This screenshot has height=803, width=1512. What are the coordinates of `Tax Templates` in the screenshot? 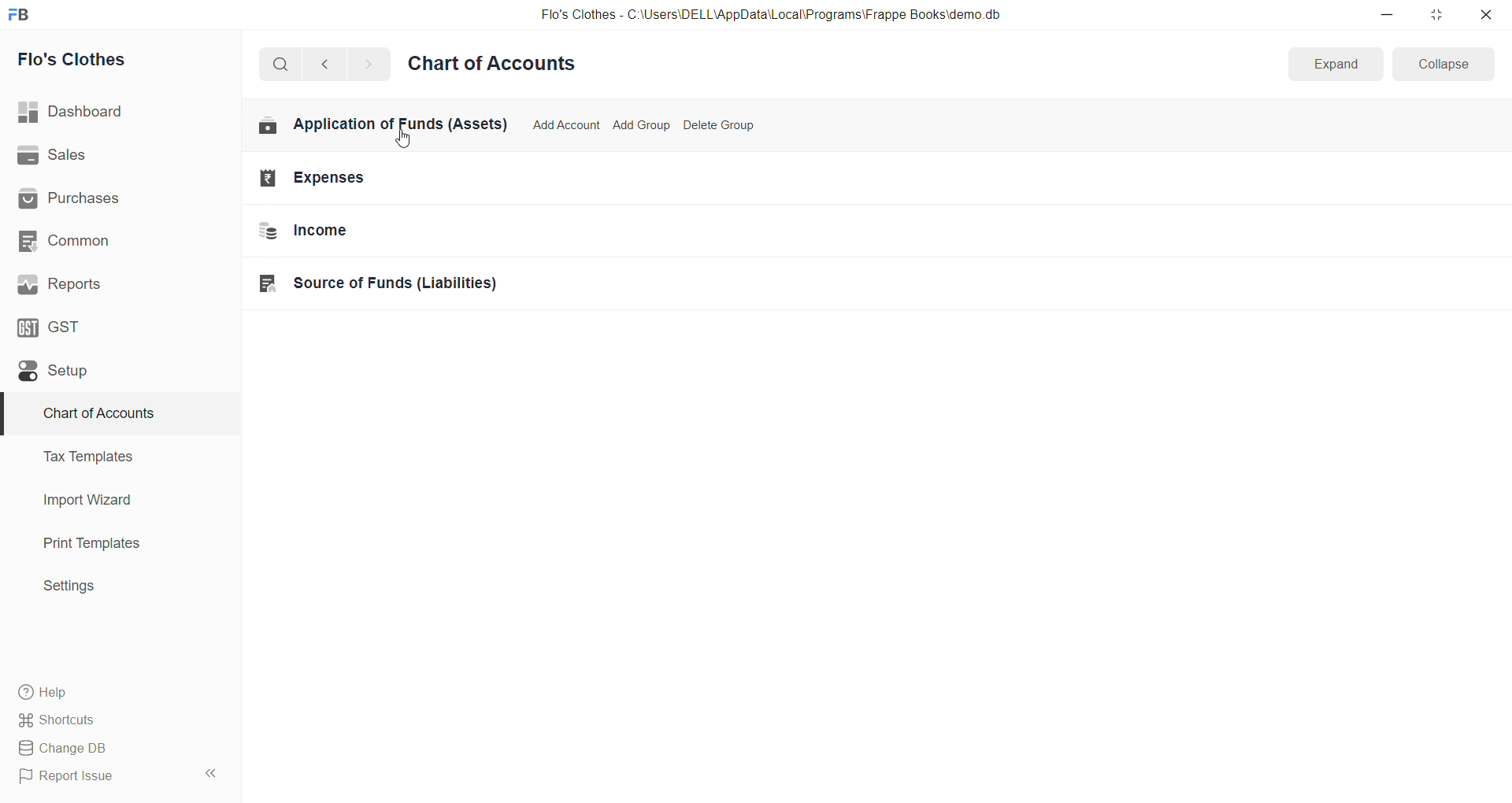 It's located at (111, 457).